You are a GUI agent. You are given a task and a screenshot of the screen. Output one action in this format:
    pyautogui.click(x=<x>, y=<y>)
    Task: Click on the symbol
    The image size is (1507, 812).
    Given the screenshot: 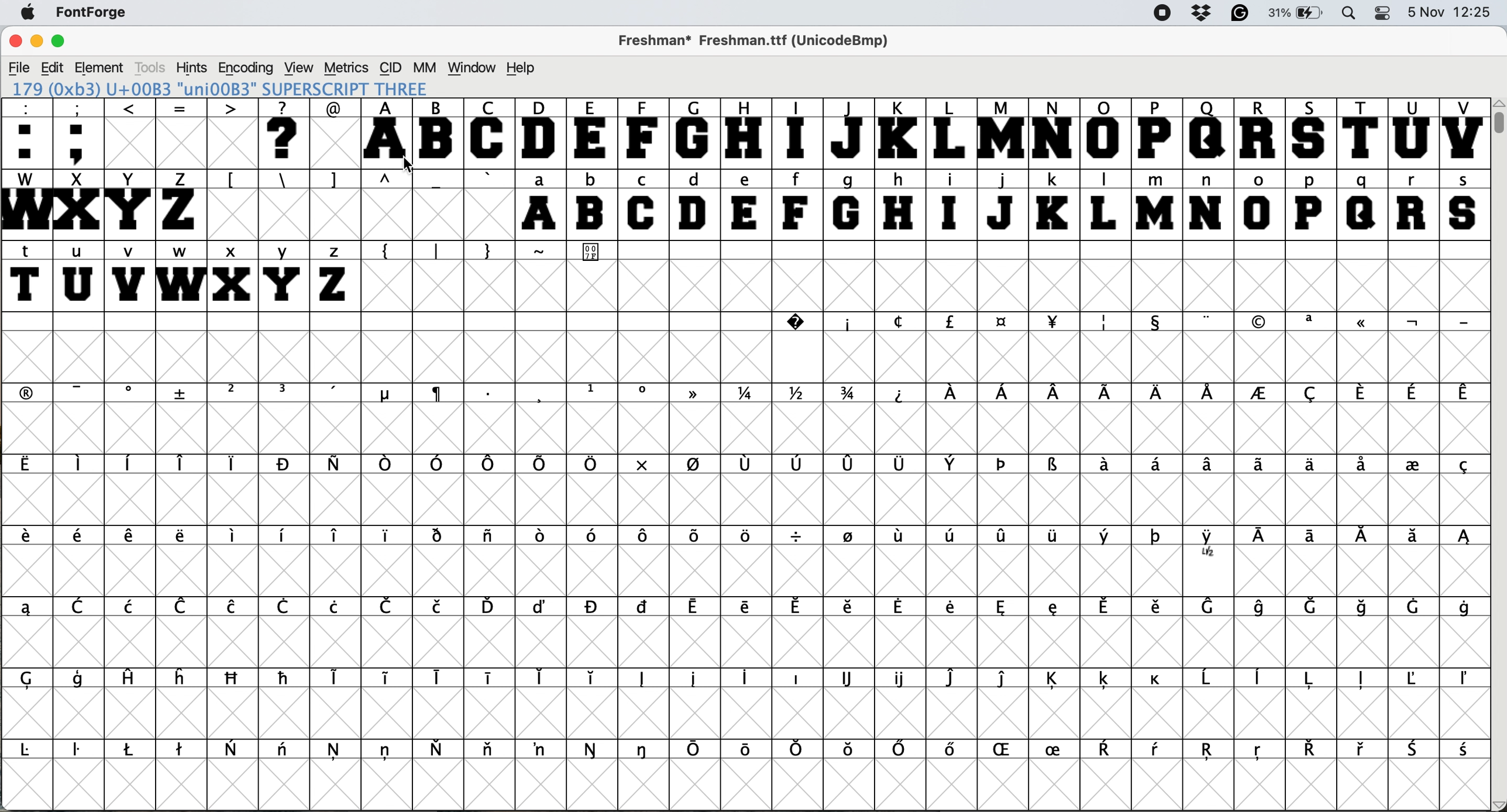 What is the action you would take?
    pyautogui.click(x=1465, y=607)
    